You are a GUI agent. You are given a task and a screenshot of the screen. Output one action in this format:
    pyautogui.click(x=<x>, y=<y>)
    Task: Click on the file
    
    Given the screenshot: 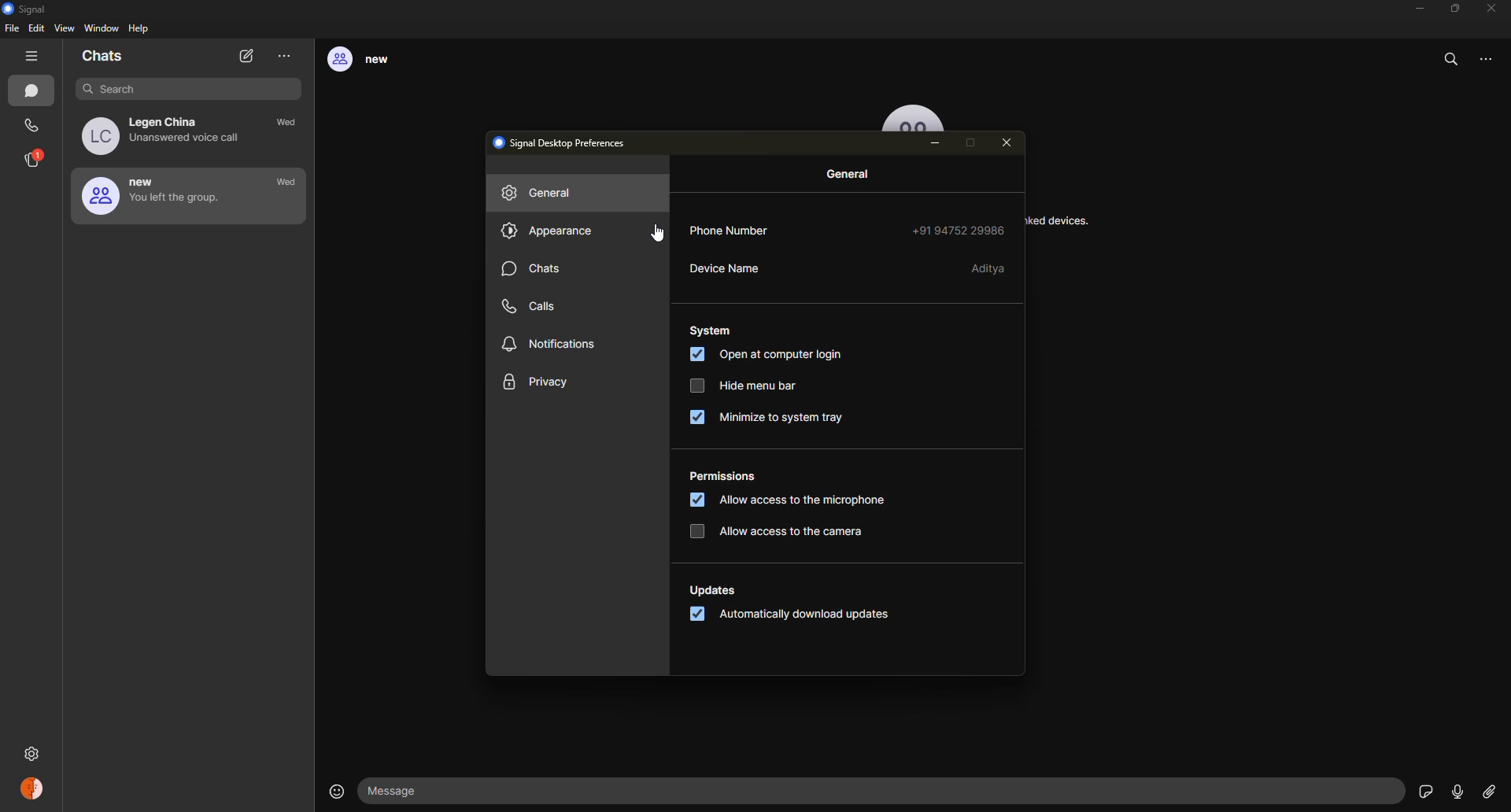 What is the action you would take?
    pyautogui.click(x=12, y=31)
    